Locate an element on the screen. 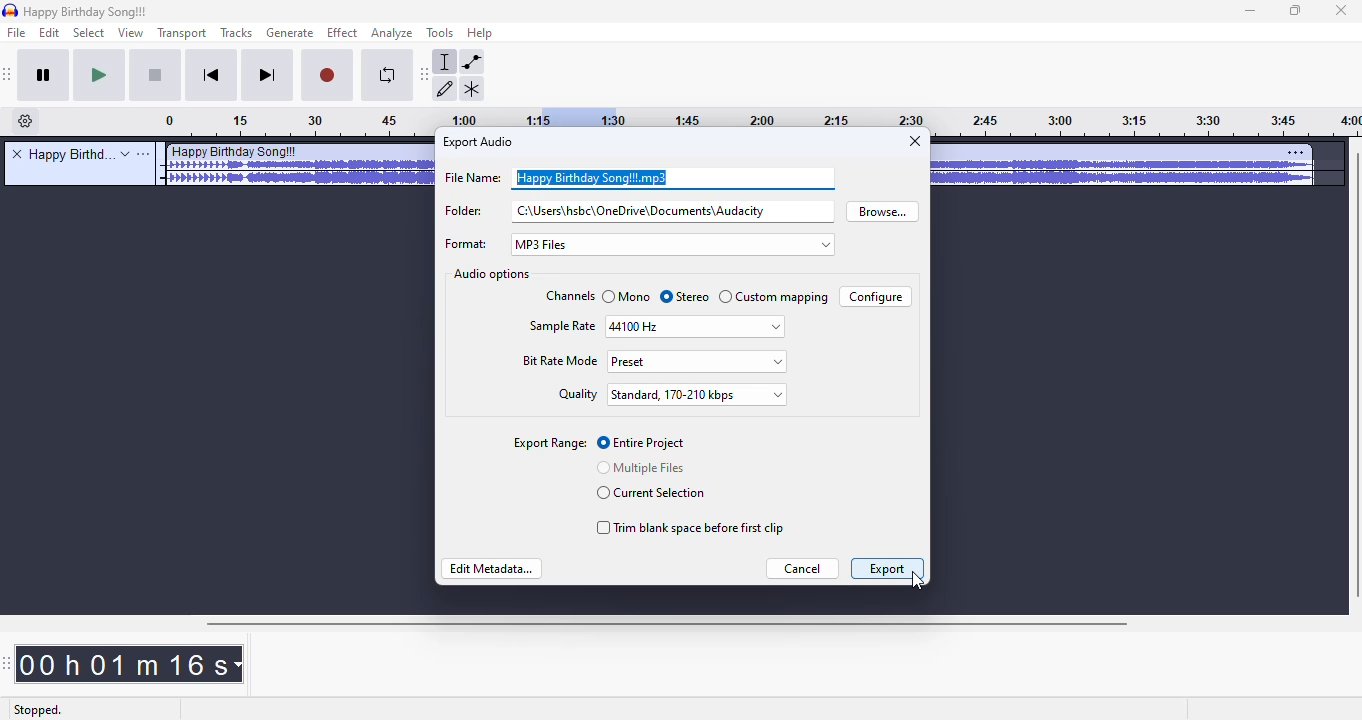  multiple files is located at coordinates (641, 467).